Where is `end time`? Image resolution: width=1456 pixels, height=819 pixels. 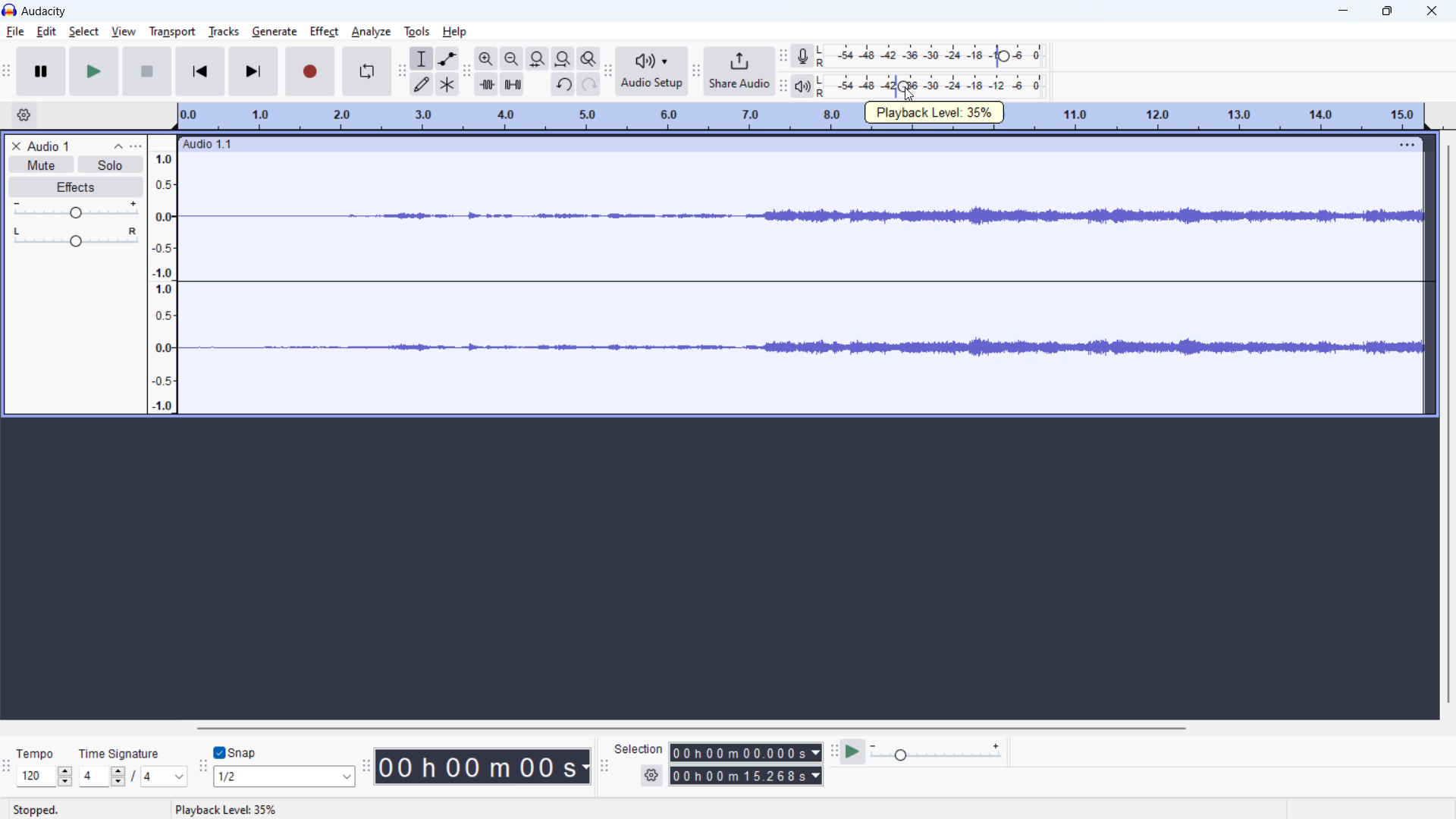 end time is located at coordinates (745, 776).